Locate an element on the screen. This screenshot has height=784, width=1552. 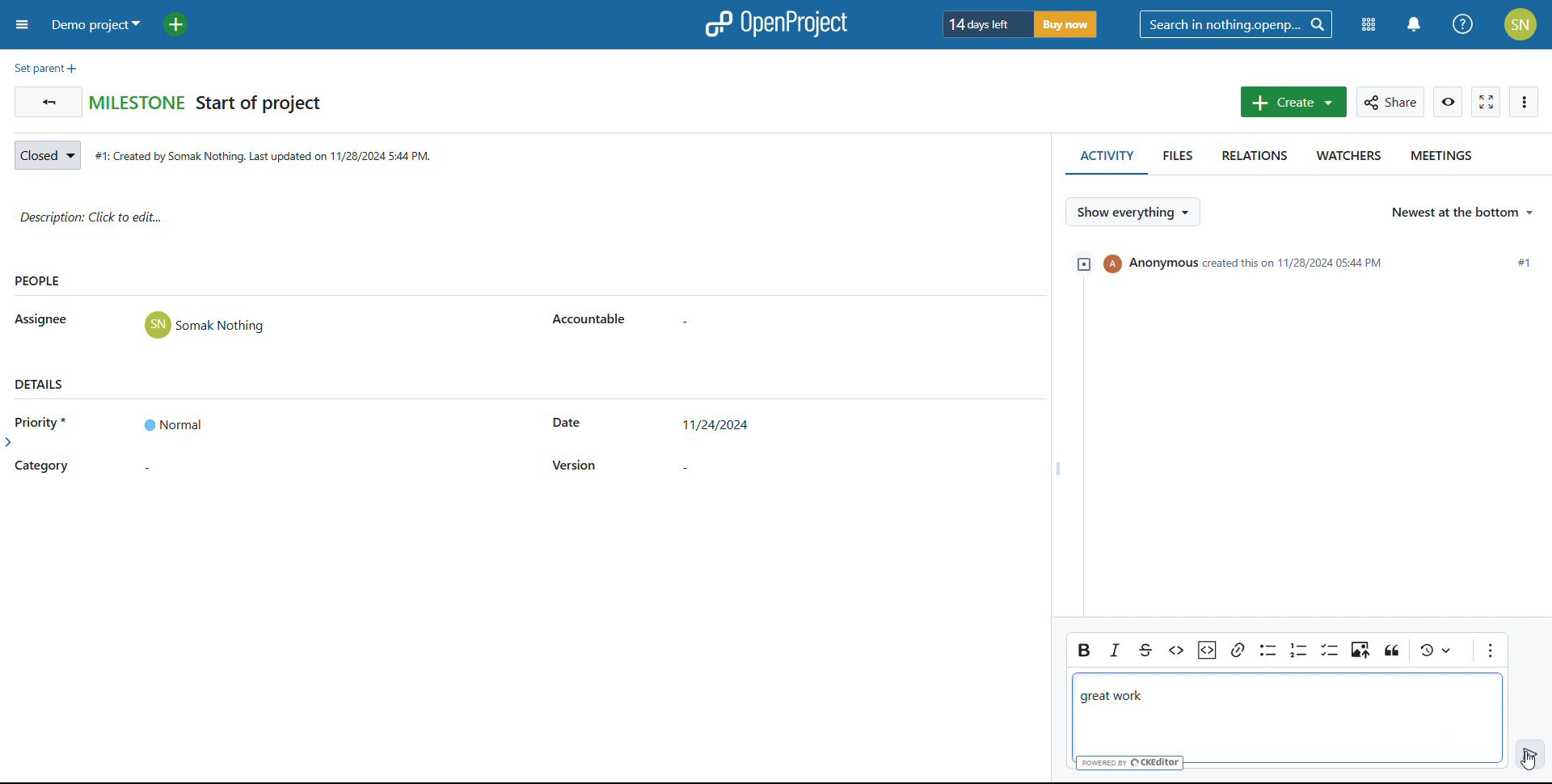
relations is located at coordinates (1249, 160).